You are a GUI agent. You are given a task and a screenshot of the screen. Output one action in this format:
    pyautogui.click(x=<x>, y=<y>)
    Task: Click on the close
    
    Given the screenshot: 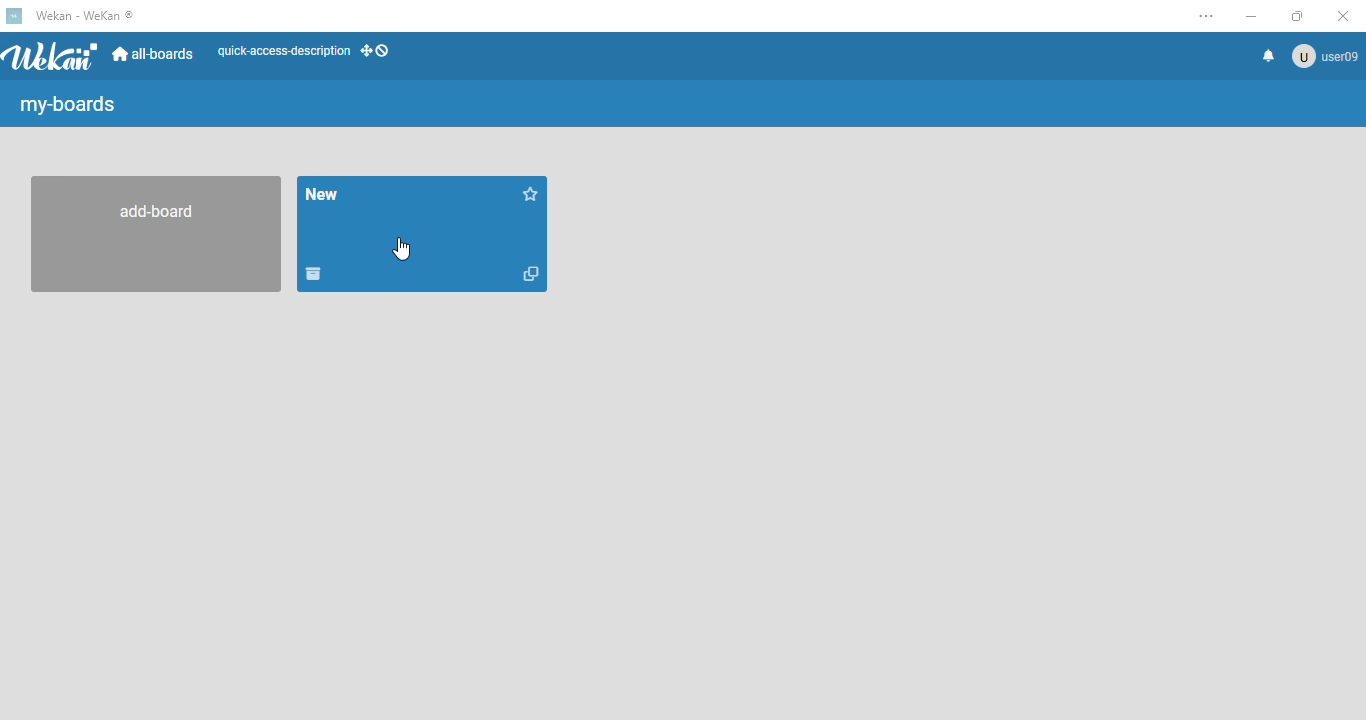 What is the action you would take?
    pyautogui.click(x=1343, y=15)
    